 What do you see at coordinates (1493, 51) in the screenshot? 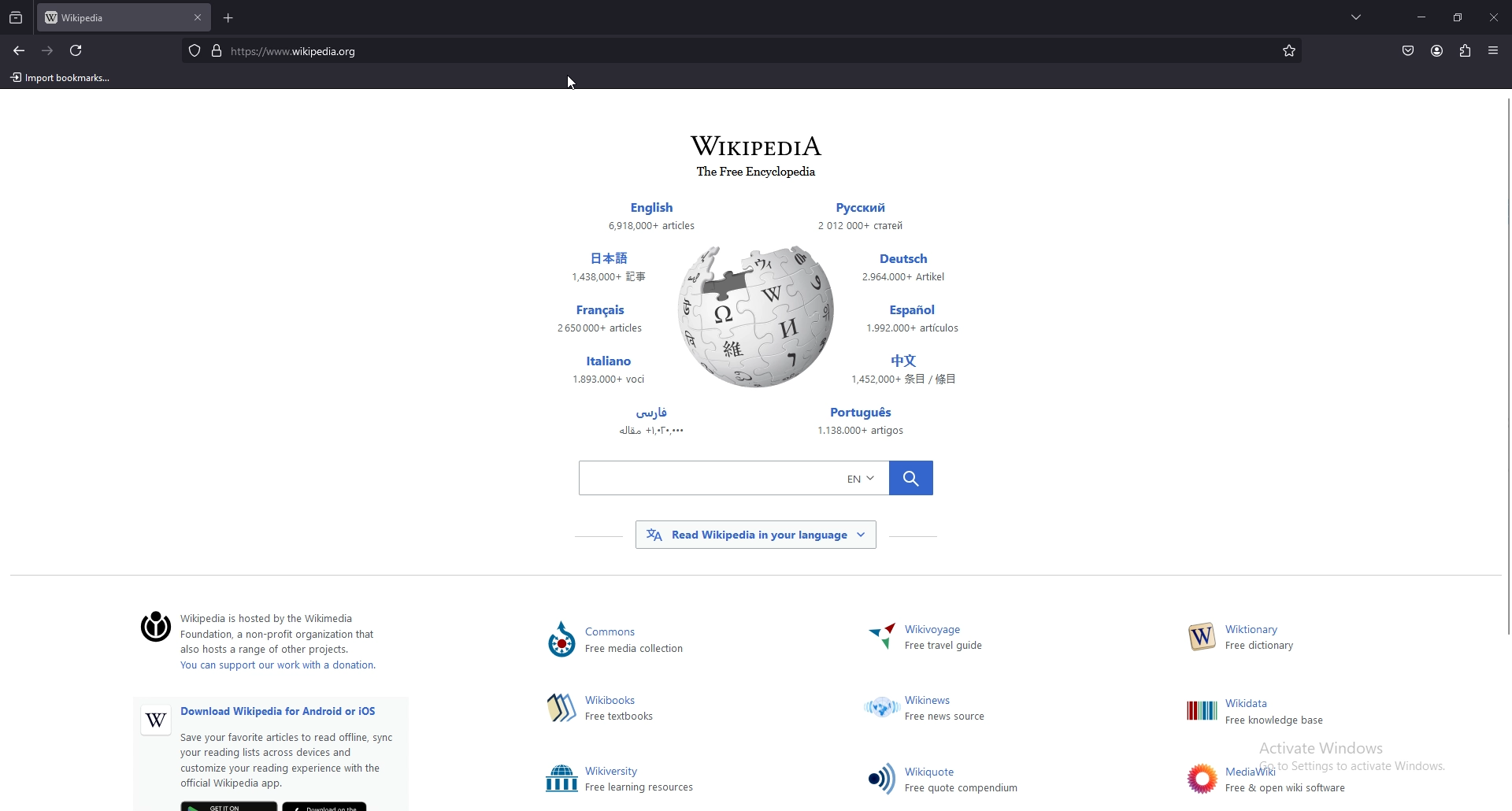
I see `open application menu` at bounding box center [1493, 51].